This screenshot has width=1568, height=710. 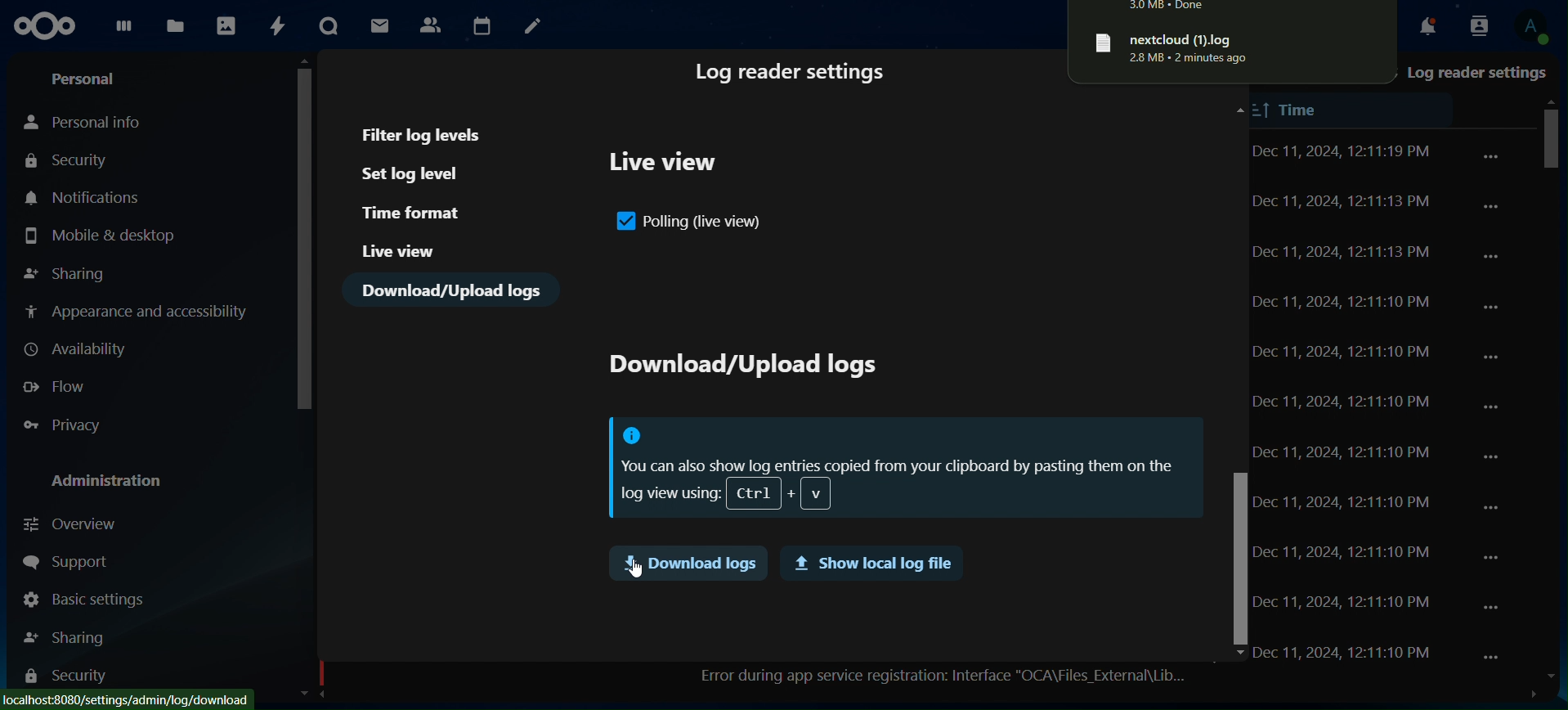 I want to click on ..., so click(x=1494, y=456).